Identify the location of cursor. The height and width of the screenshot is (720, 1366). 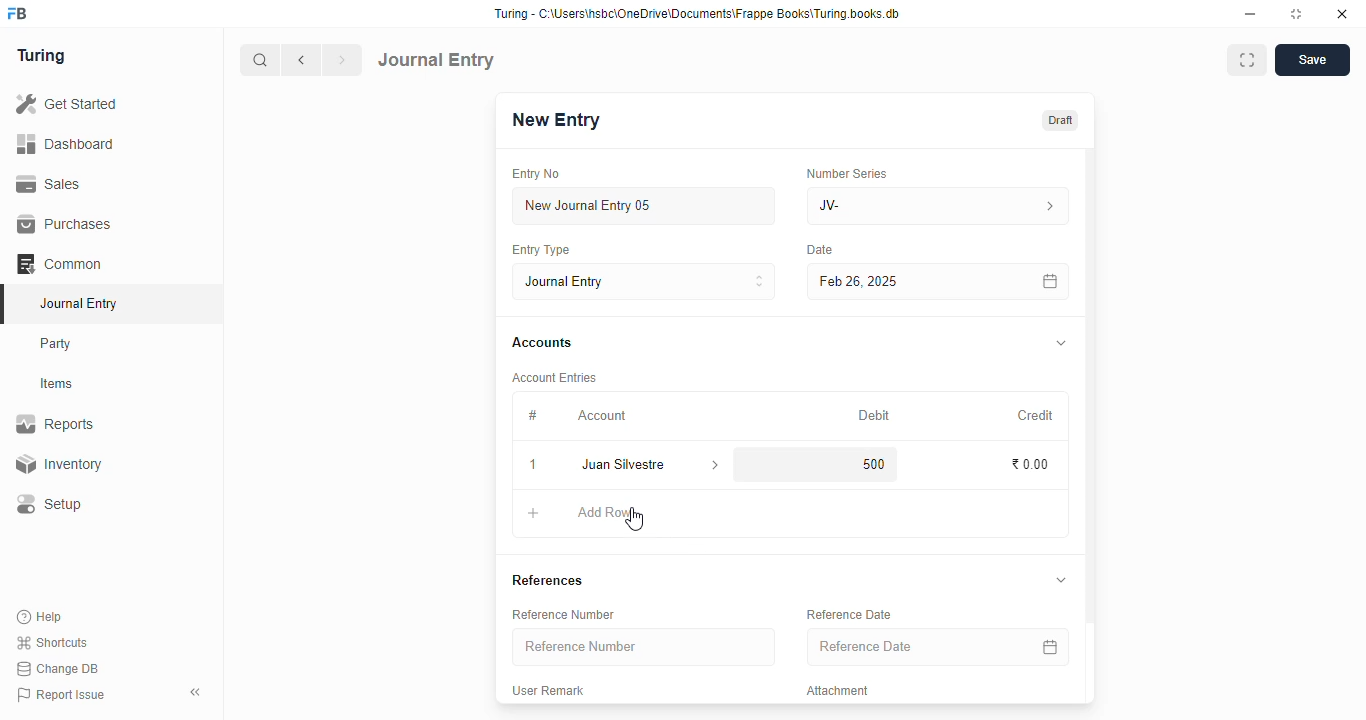
(635, 519).